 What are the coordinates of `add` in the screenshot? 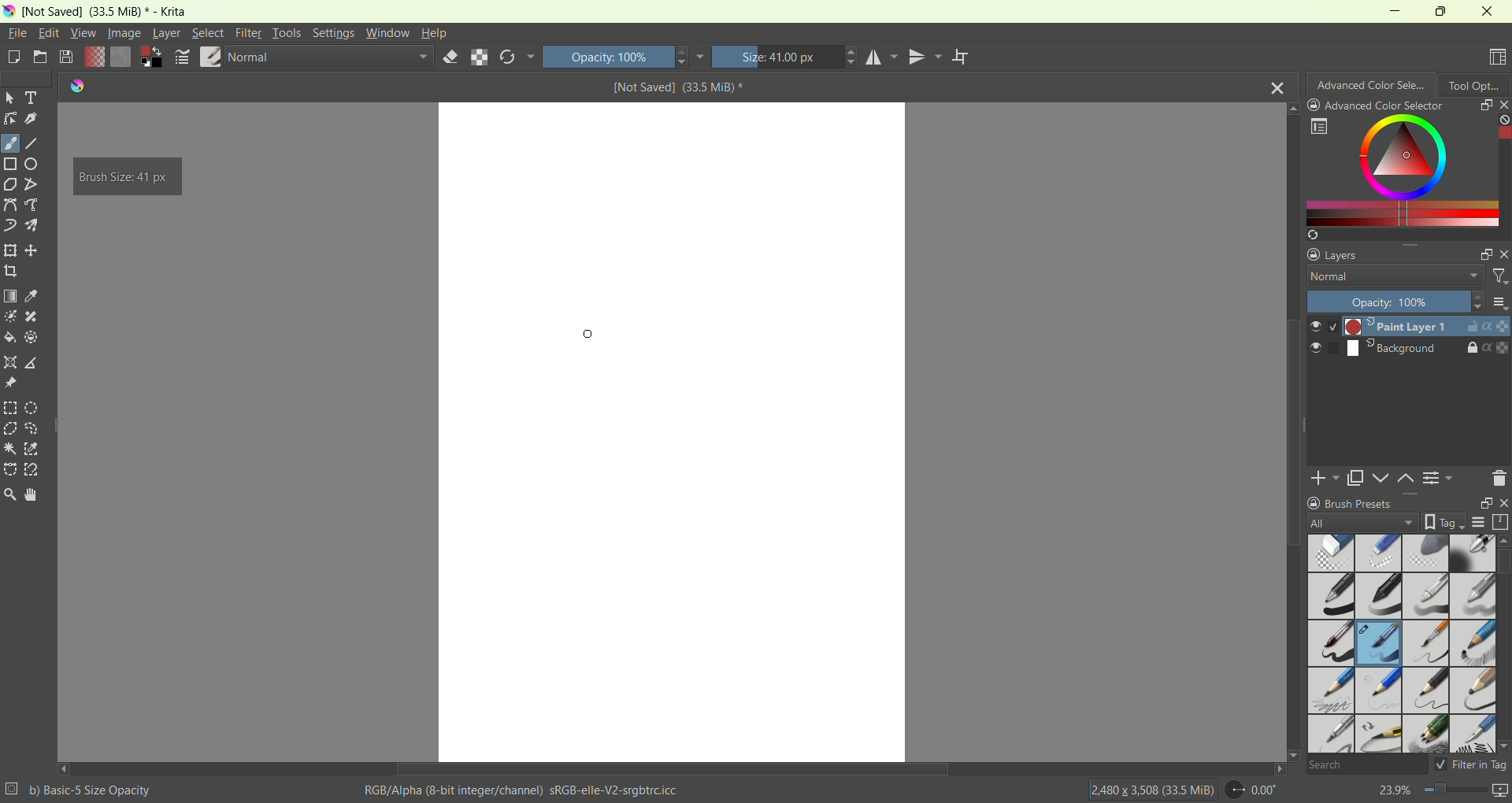 It's located at (1325, 477).